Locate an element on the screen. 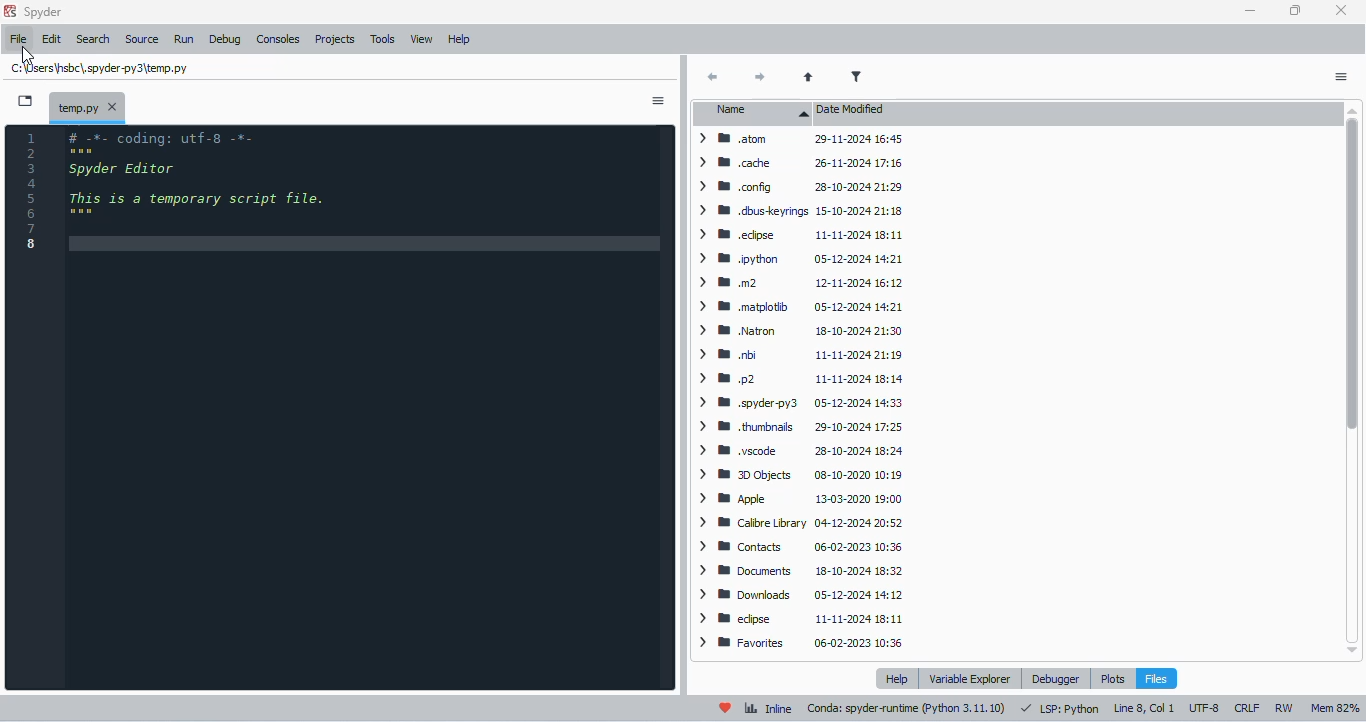  run is located at coordinates (184, 40).